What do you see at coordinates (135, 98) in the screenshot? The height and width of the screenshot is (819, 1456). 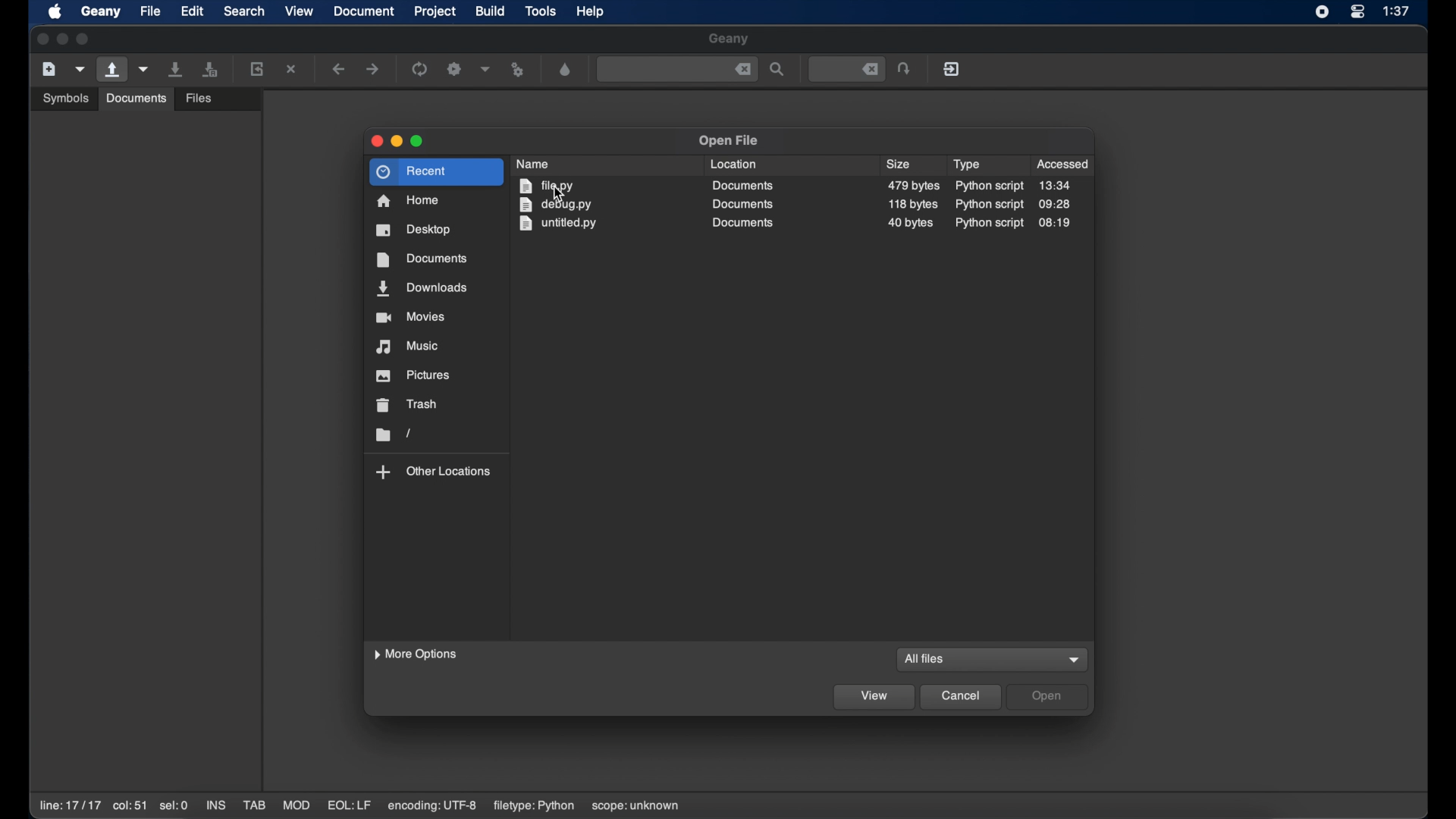 I see `documents` at bounding box center [135, 98].